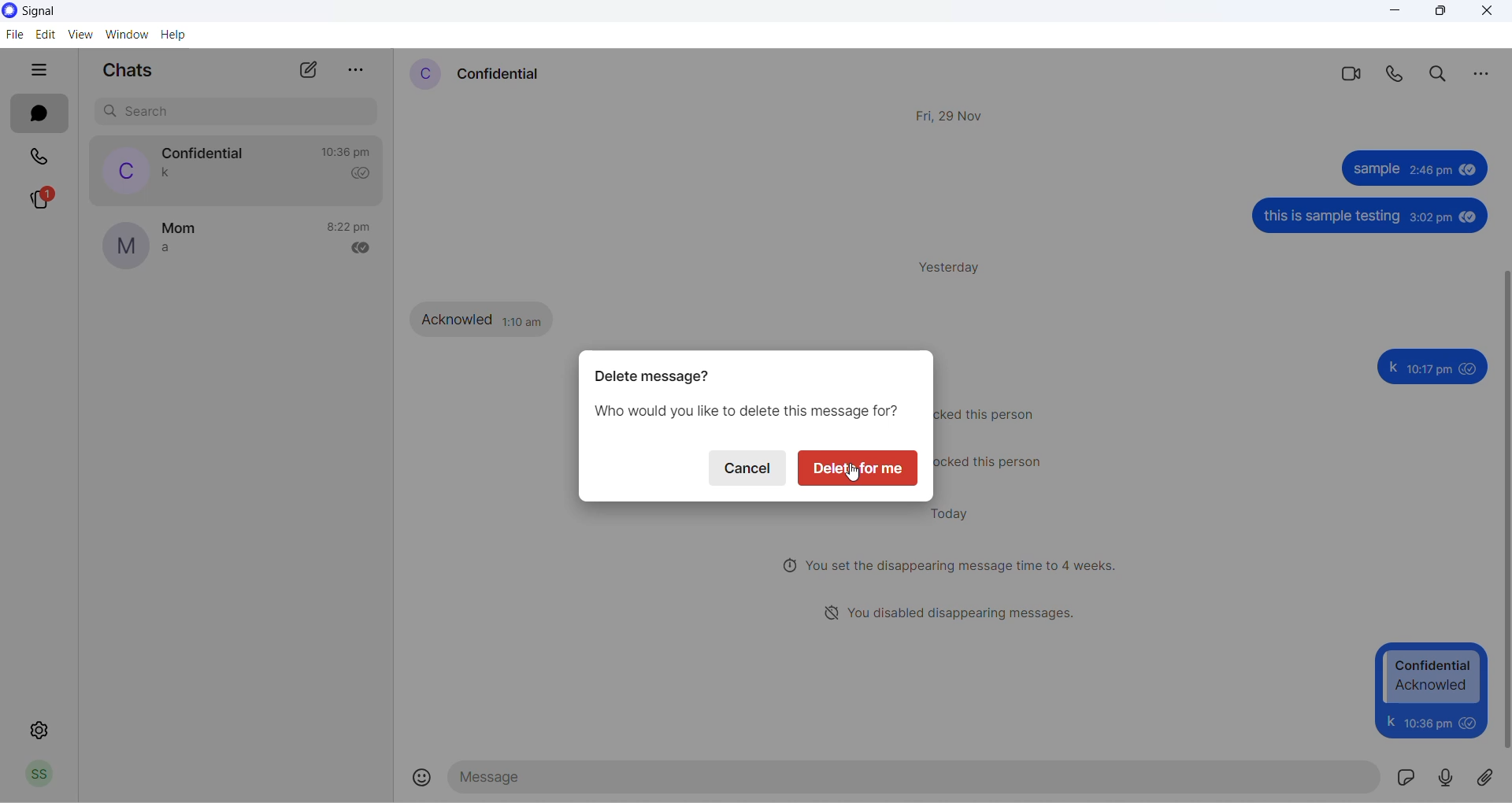 This screenshot has height=803, width=1512. What do you see at coordinates (1330, 217) in the screenshot?
I see `~ this is sample testing` at bounding box center [1330, 217].